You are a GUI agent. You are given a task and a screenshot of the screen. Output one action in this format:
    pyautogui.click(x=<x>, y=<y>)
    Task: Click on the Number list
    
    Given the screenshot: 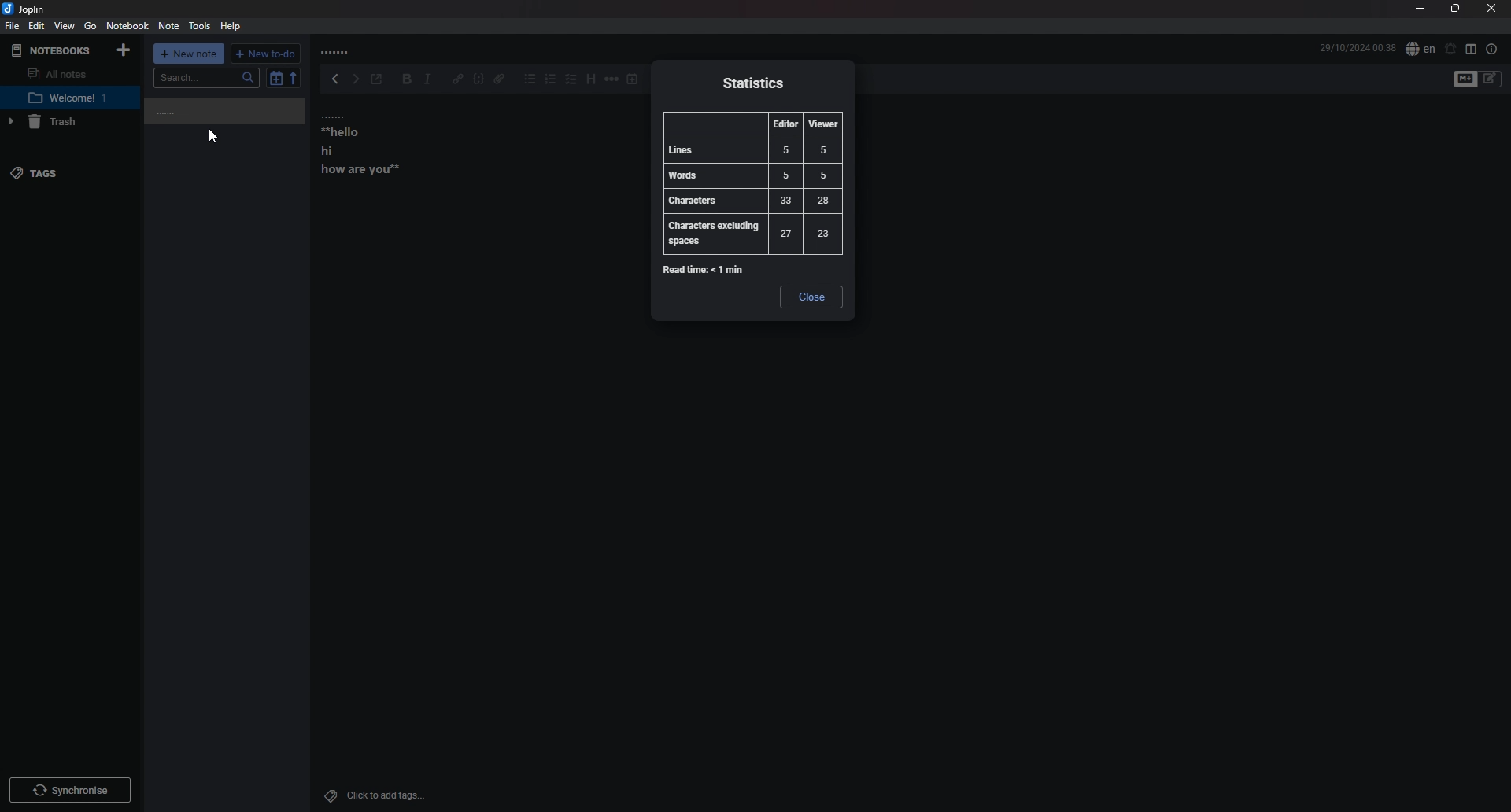 What is the action you would take?
    pyautogui.click(x=552, y=79)
    